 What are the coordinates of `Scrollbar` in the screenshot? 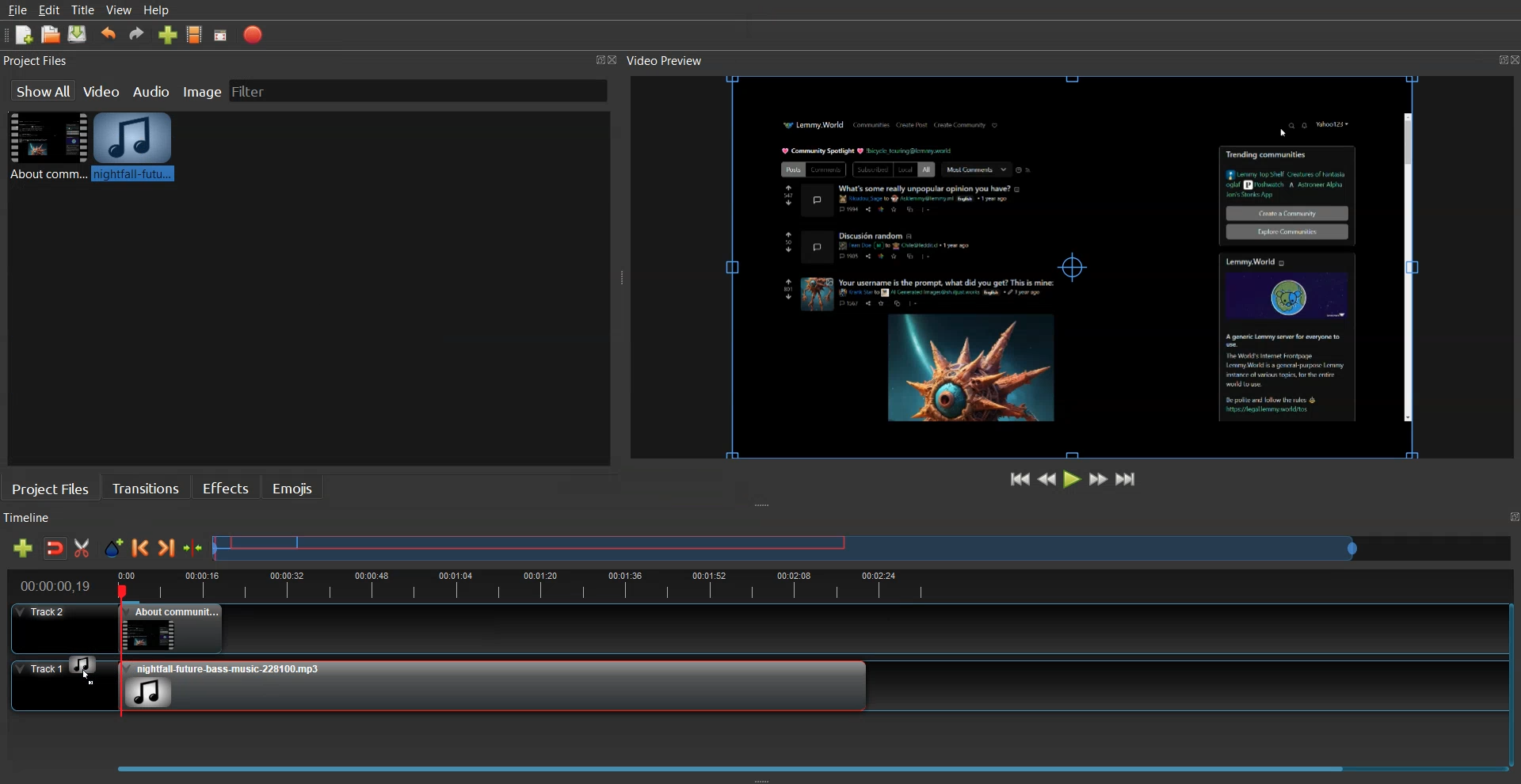 It's located at (1406, 268).